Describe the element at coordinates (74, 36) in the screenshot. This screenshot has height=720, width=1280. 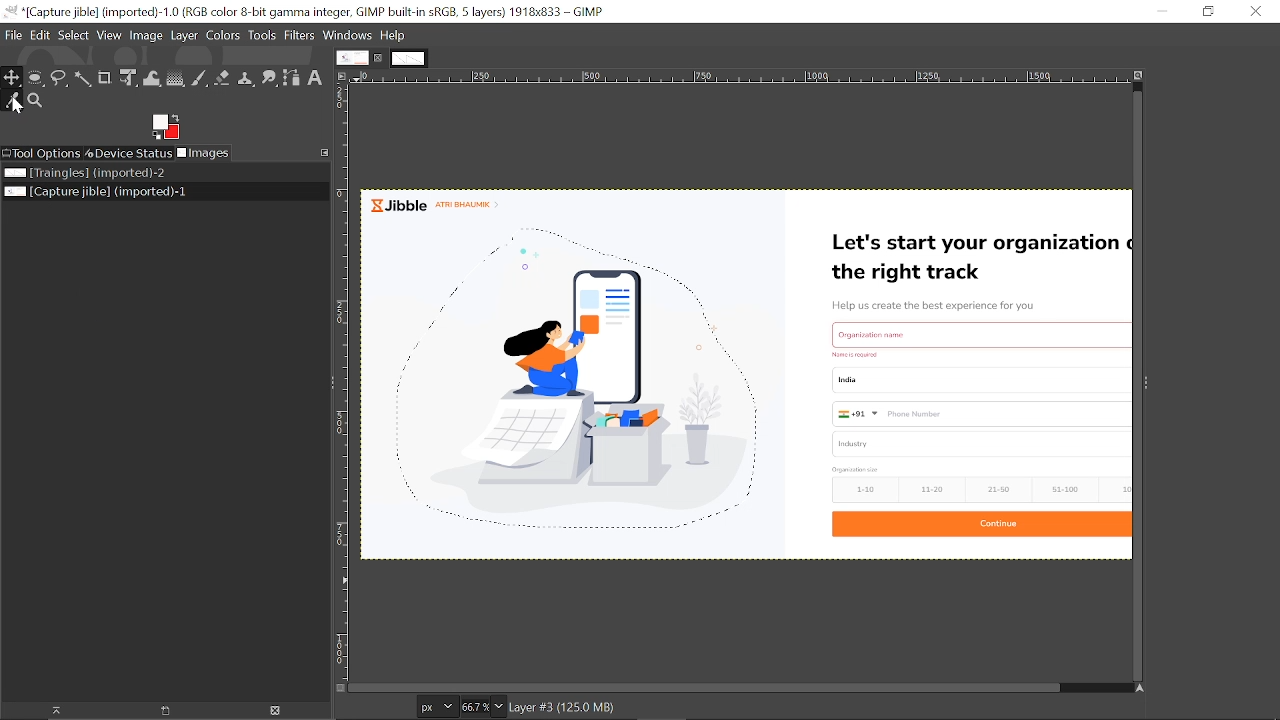
I see `Select` at that location.